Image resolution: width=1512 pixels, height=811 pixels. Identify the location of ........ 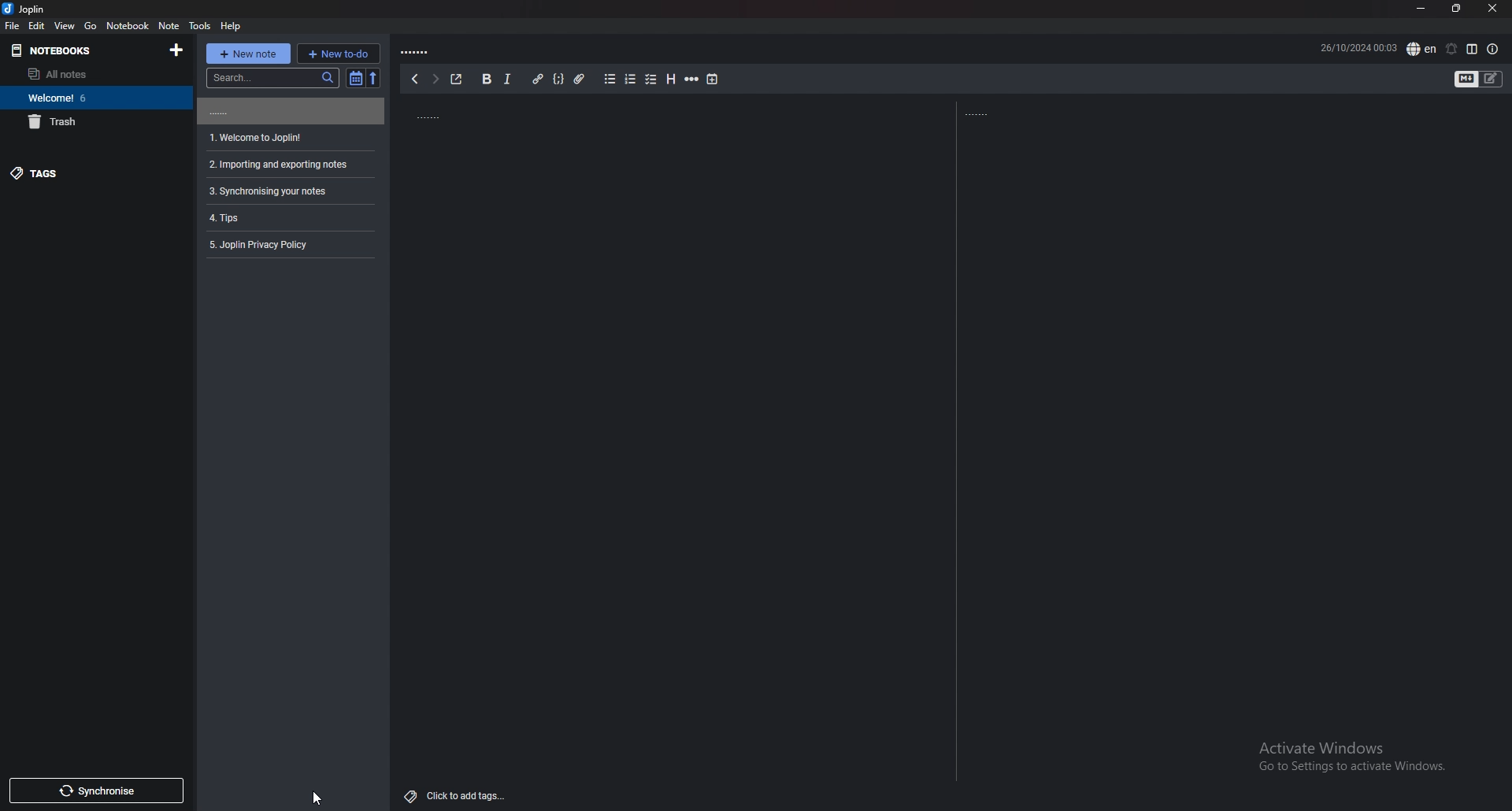
(289, 111).